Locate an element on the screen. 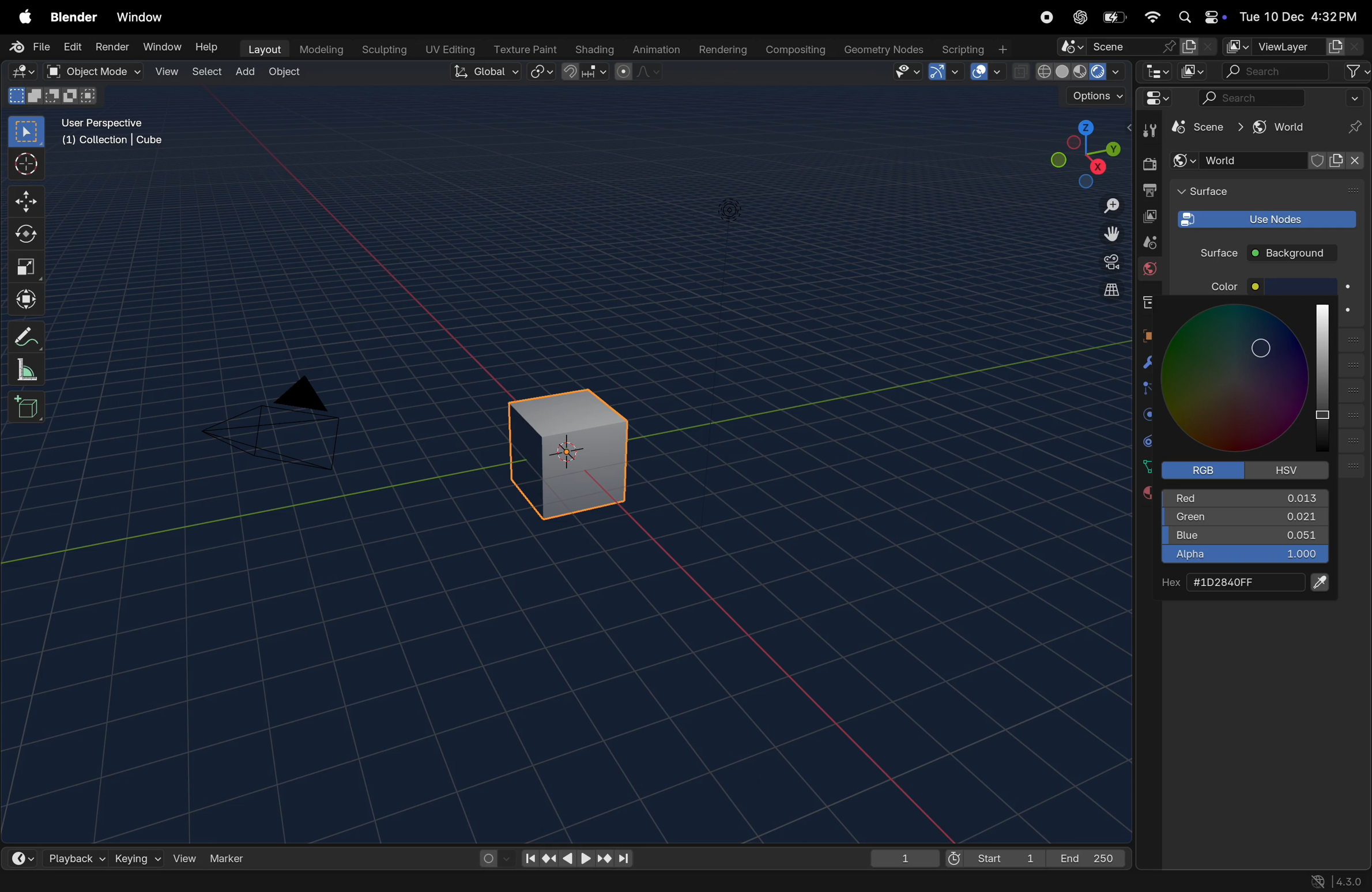 This screenshot has height=892, width=1372. scene is located at coordinates (1136, 46).